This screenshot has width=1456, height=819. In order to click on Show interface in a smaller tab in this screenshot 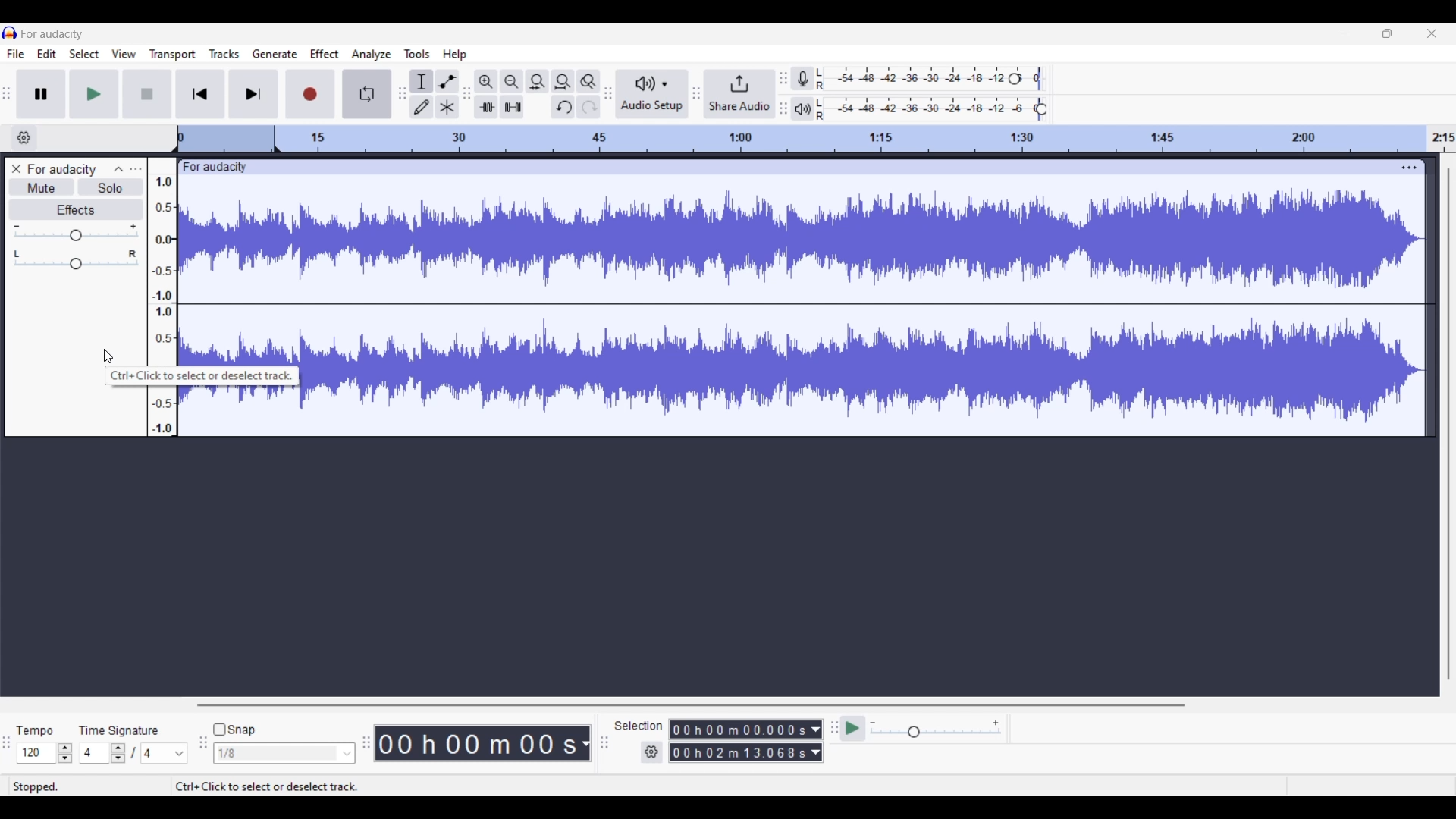, I will do `click(1387, 33)`.